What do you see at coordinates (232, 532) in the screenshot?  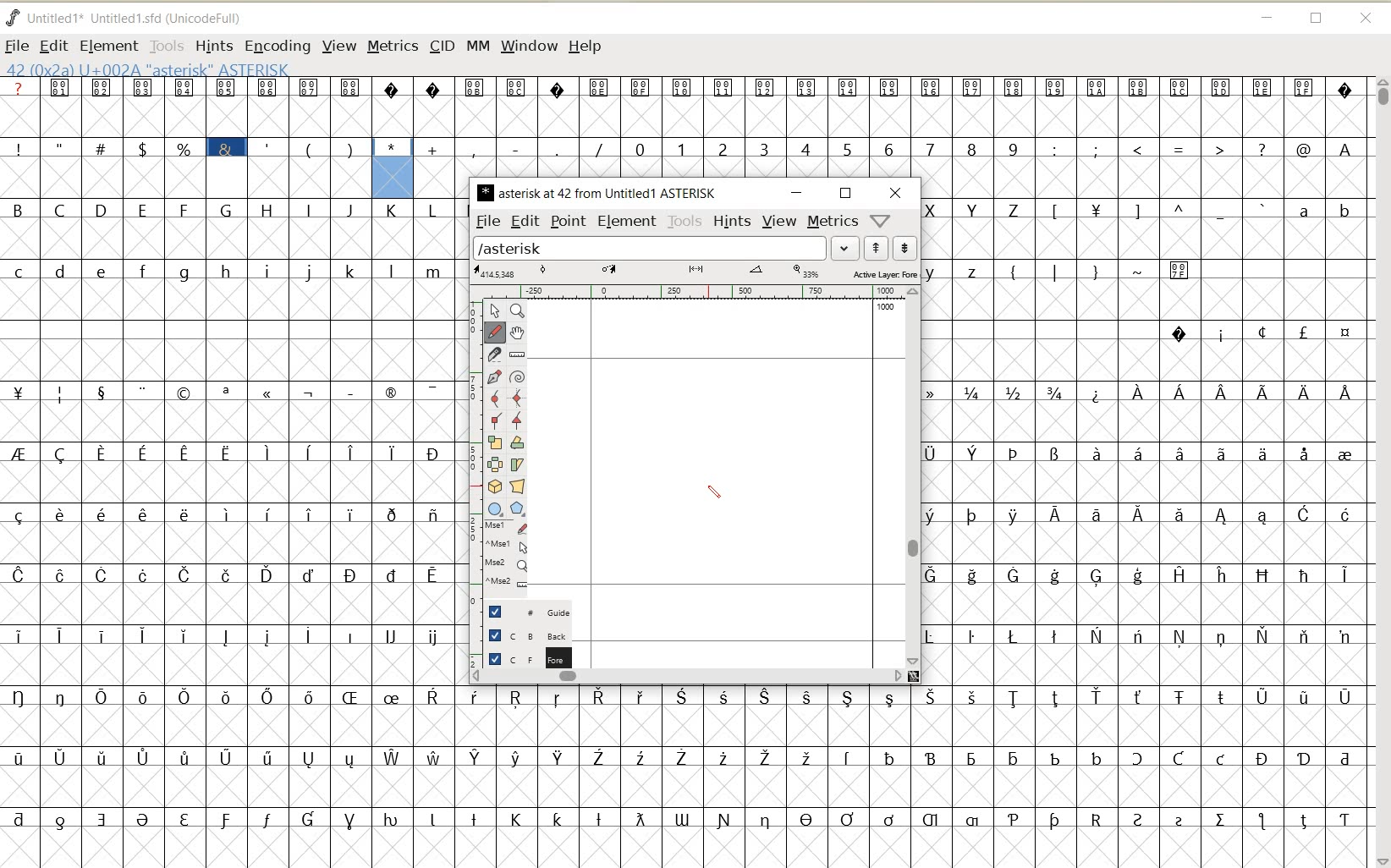 I see `GLYPHY CHARACTERS` at bounding box center [232, 532].